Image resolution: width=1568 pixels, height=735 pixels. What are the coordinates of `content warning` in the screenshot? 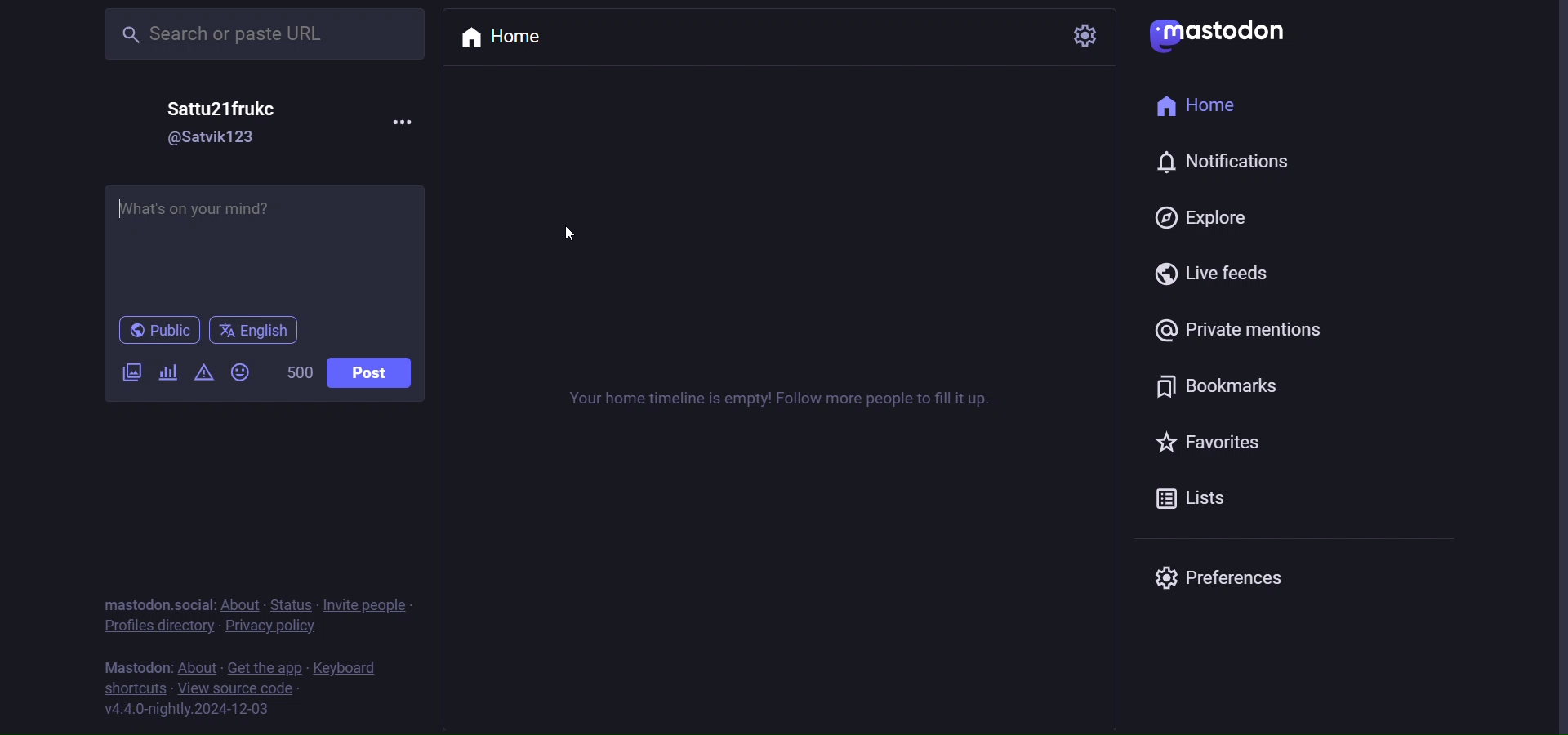 It's located at (202, 372).